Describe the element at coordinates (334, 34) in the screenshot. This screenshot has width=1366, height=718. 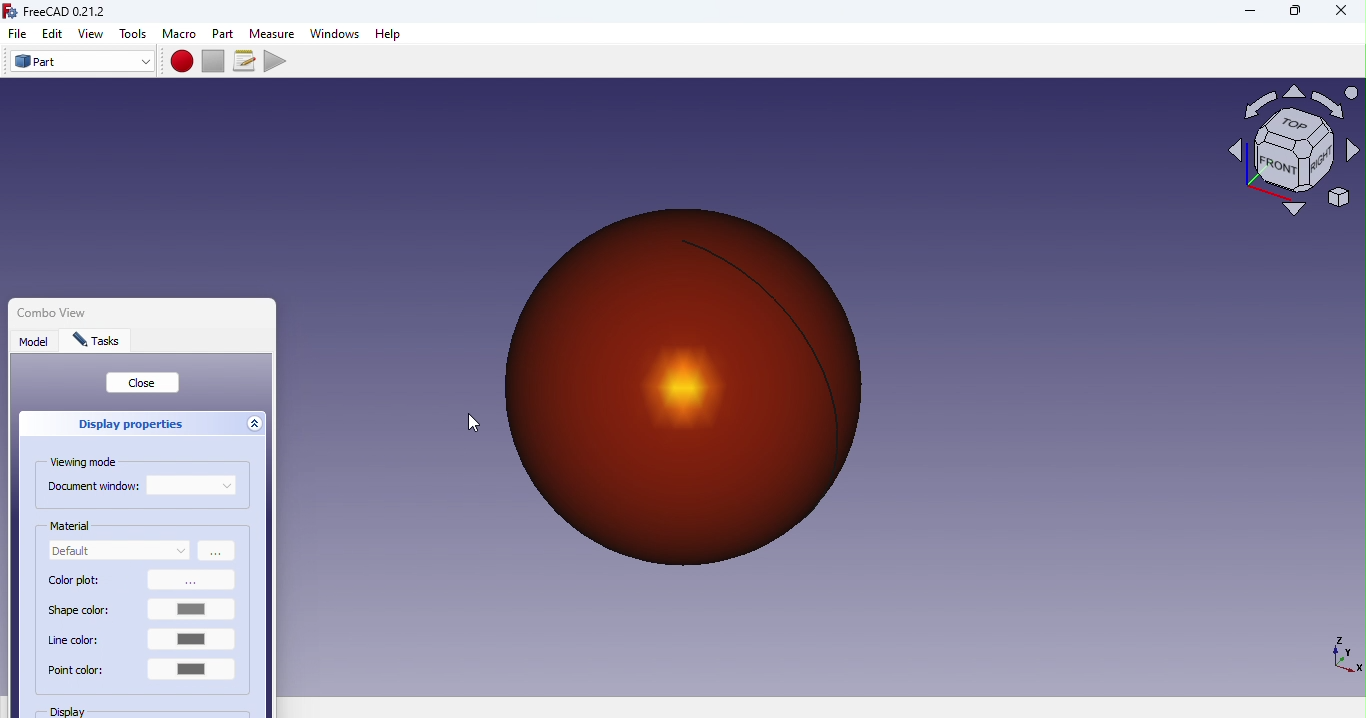
I see `Windows` at that location.